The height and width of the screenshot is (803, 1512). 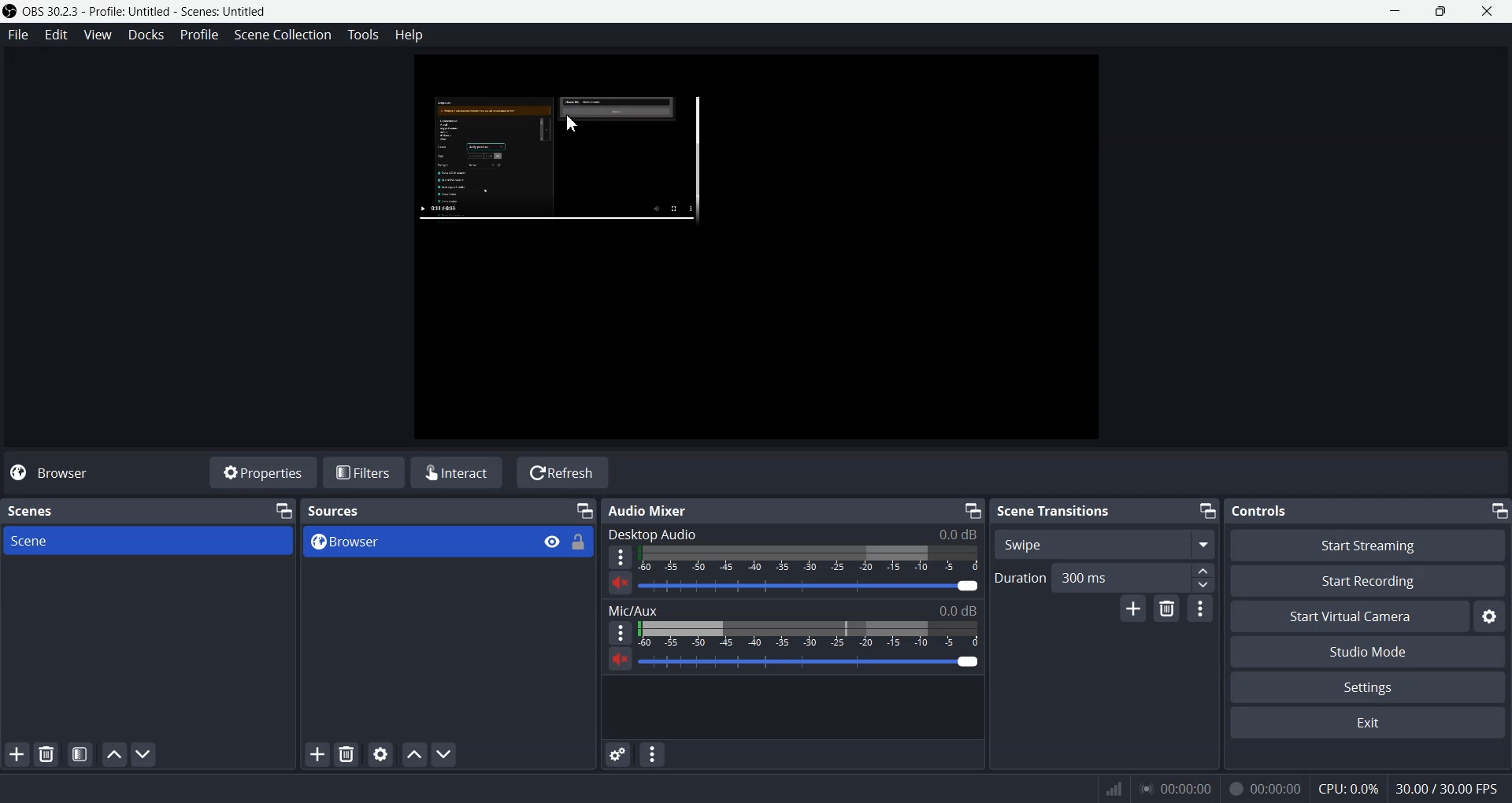 What do you see at coordinates (1137, 578) in the screenshot?
I see `300 ms` at bounding box center [1137, 578].